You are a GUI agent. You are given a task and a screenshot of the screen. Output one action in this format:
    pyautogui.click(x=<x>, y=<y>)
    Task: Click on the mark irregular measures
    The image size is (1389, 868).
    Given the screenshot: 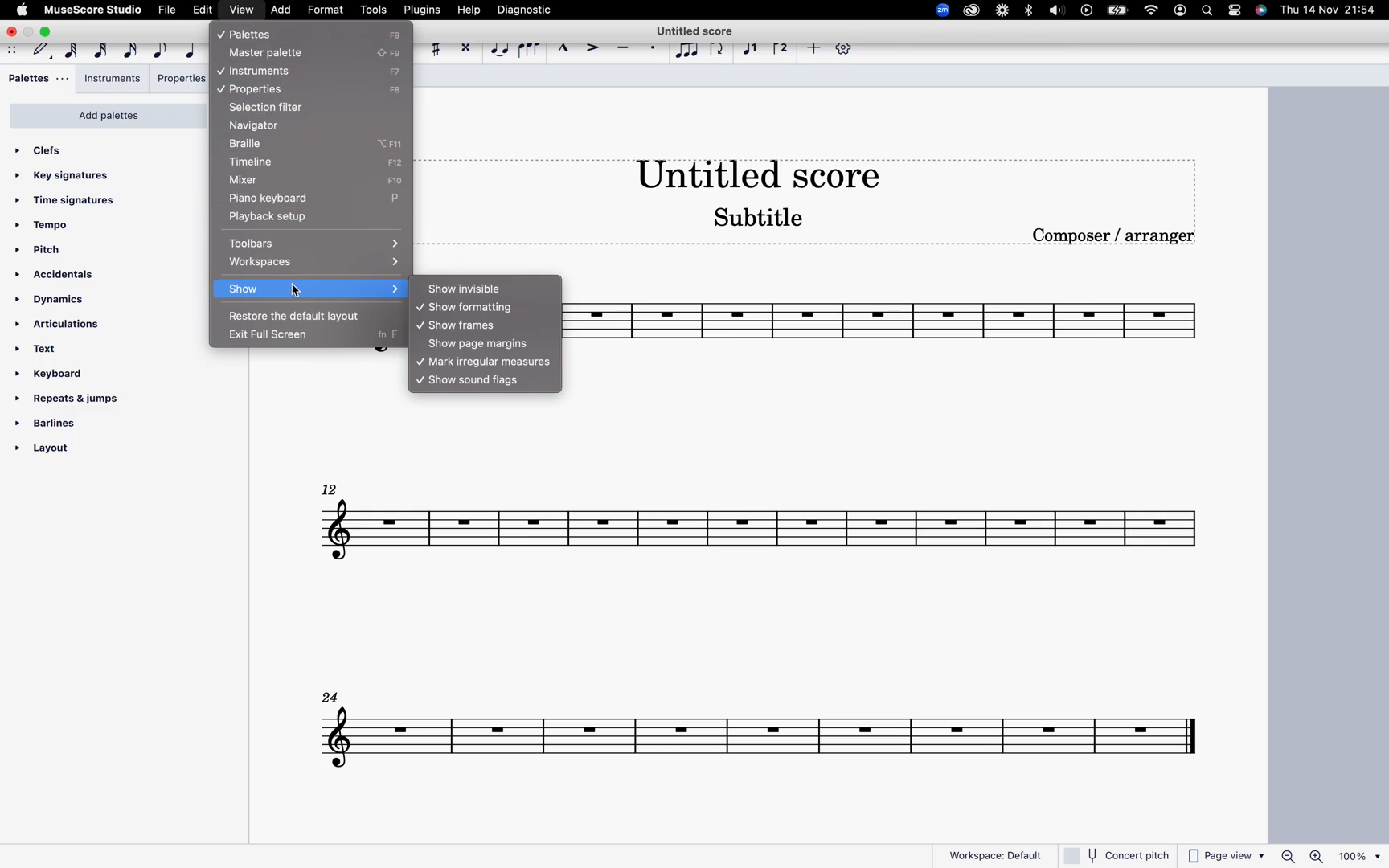 What is the action you would take?
    pyautogui.click(x=485, y=361)
    